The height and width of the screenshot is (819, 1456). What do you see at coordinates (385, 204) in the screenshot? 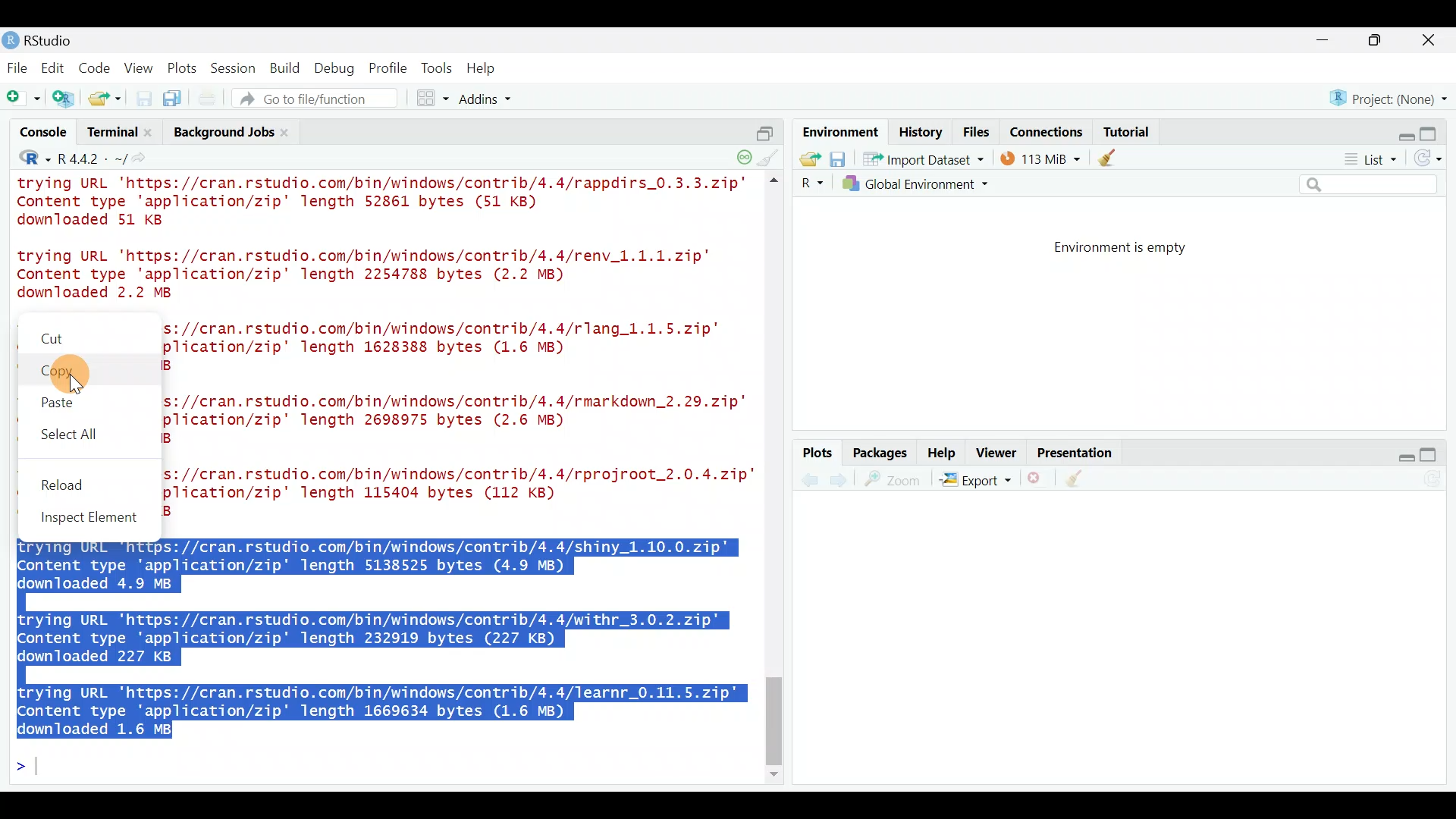
I see `trying URL 'https://cran.rstudio.com/bin/windows/contrib/4.4/rappdirs_0.3.3.zip"’
Content type 'application/zip' length 52861 bytes (51 KB)
downloaded 51 KB` at bounding box center [385, 204].